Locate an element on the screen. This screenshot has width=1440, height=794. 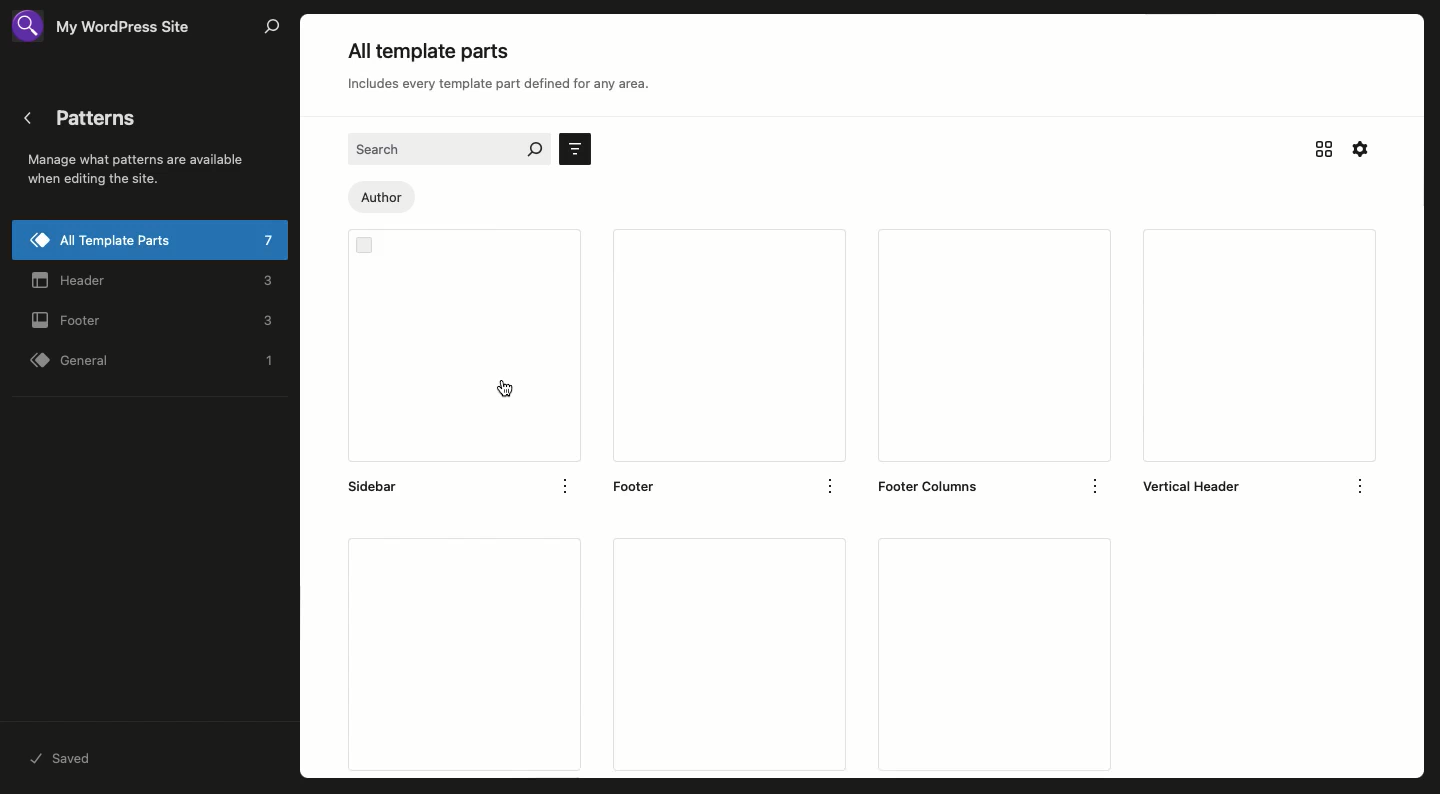
sidebar is located at coordinates (377, 488).